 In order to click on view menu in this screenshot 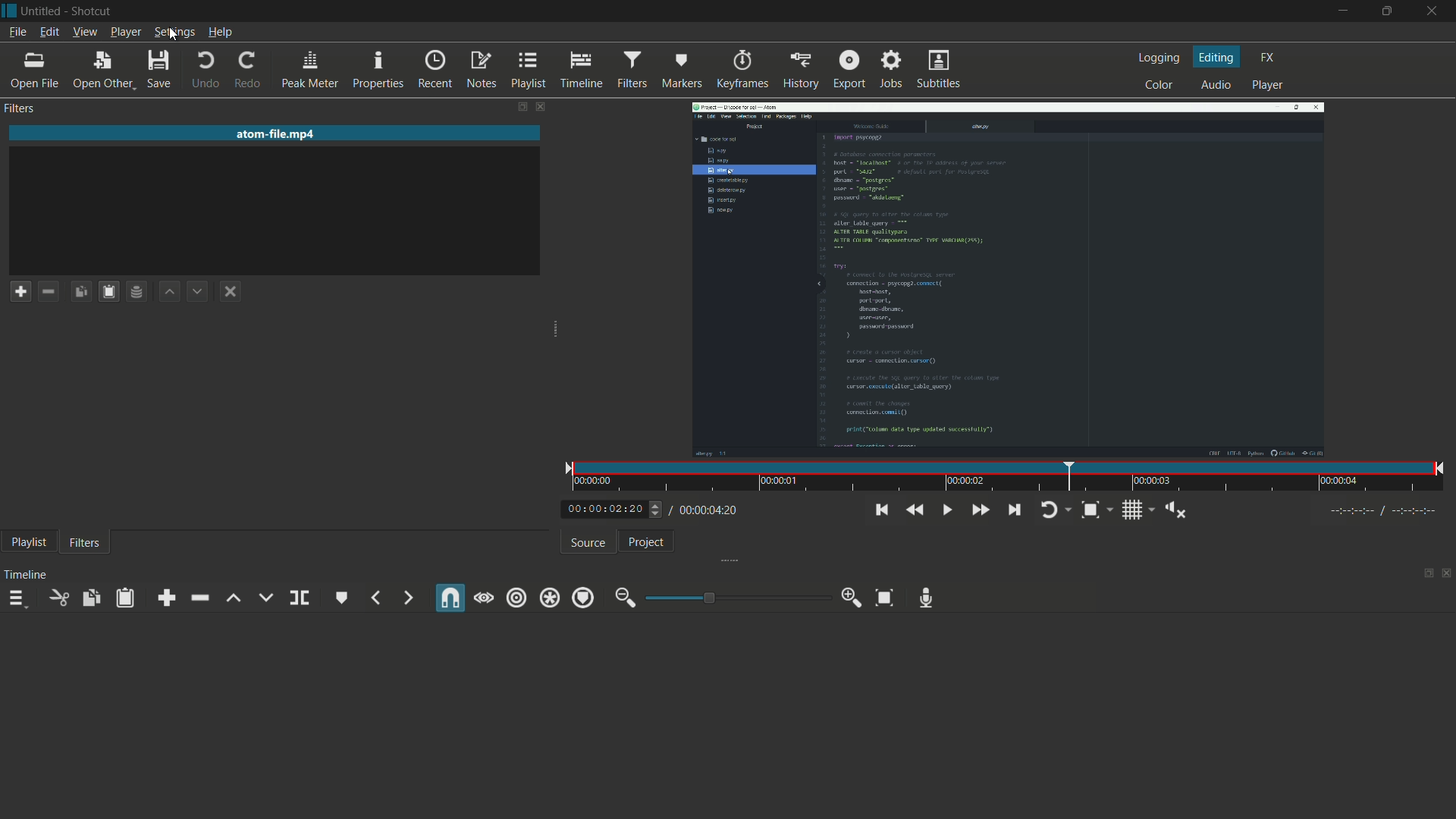, I will do `click(85, 33)`.